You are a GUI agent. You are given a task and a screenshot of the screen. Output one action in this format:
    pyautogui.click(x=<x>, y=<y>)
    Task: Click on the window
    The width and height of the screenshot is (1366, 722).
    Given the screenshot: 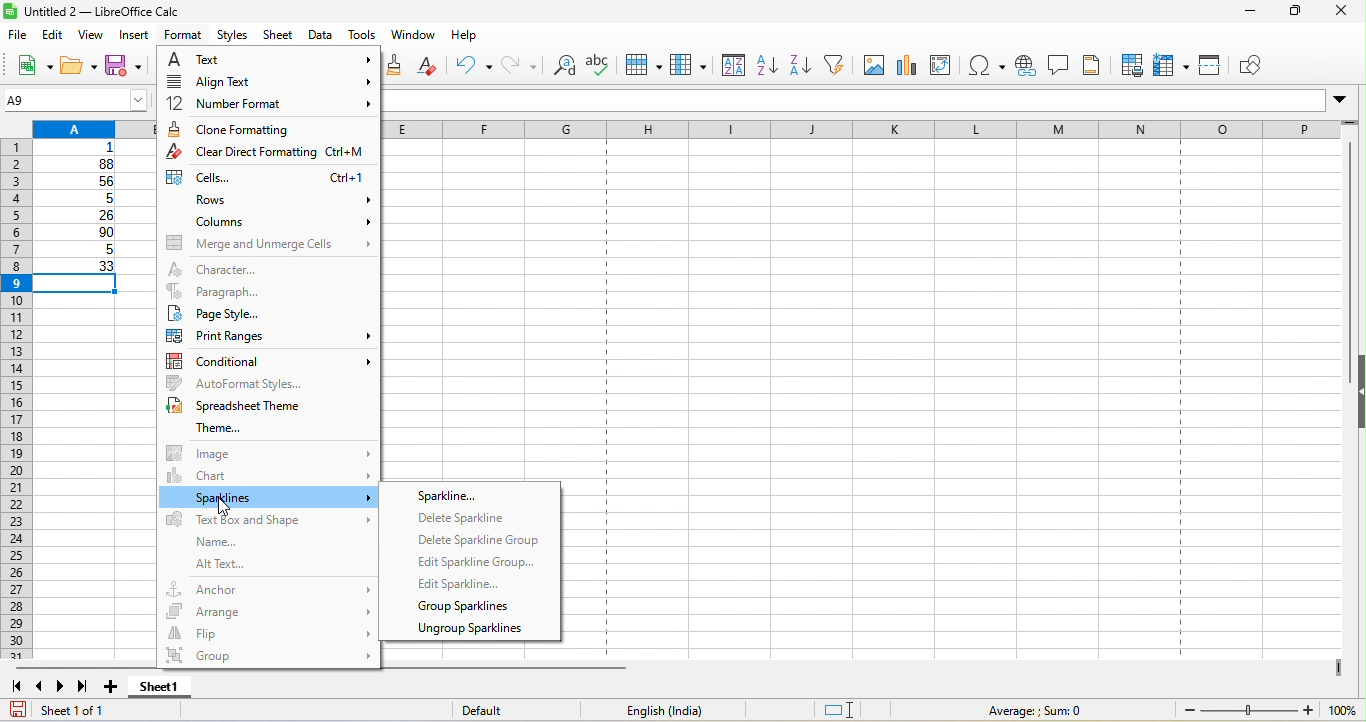 What is the action you would take?
    pyautogui.click(x=413, y=37)
    